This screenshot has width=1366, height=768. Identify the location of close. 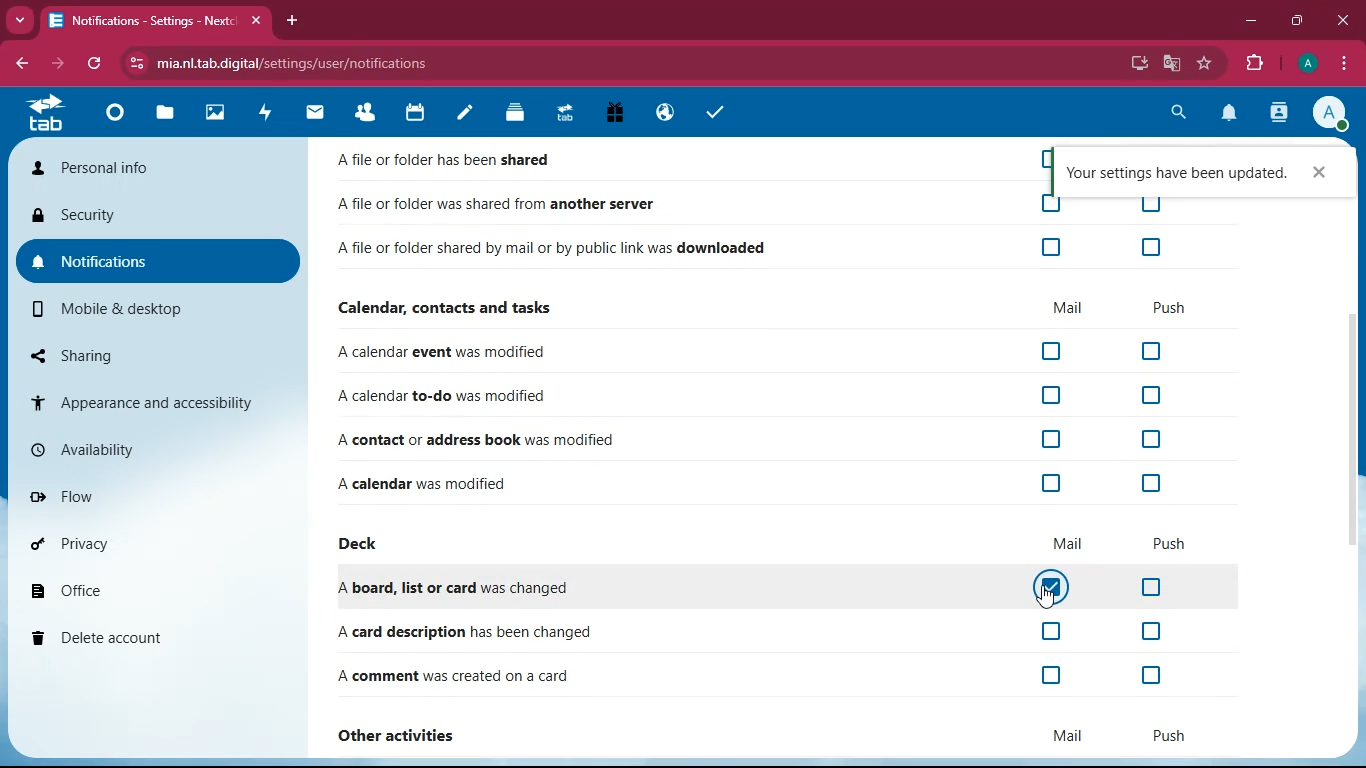
(260, 21).